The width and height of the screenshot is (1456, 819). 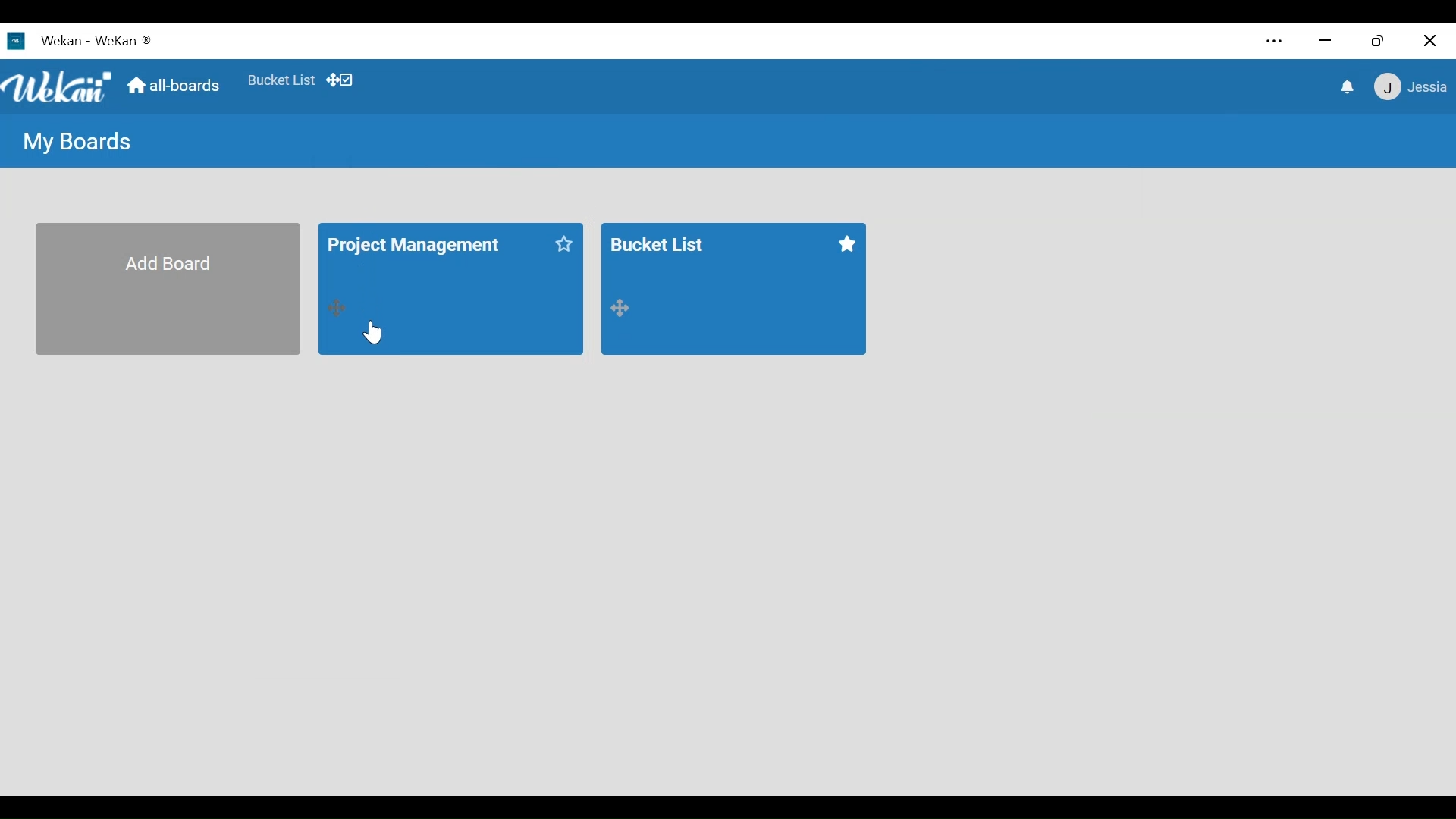 What do you see at coordinates (621, 309) in the screenshot?
I see `action` at bounding box center [621, 309].